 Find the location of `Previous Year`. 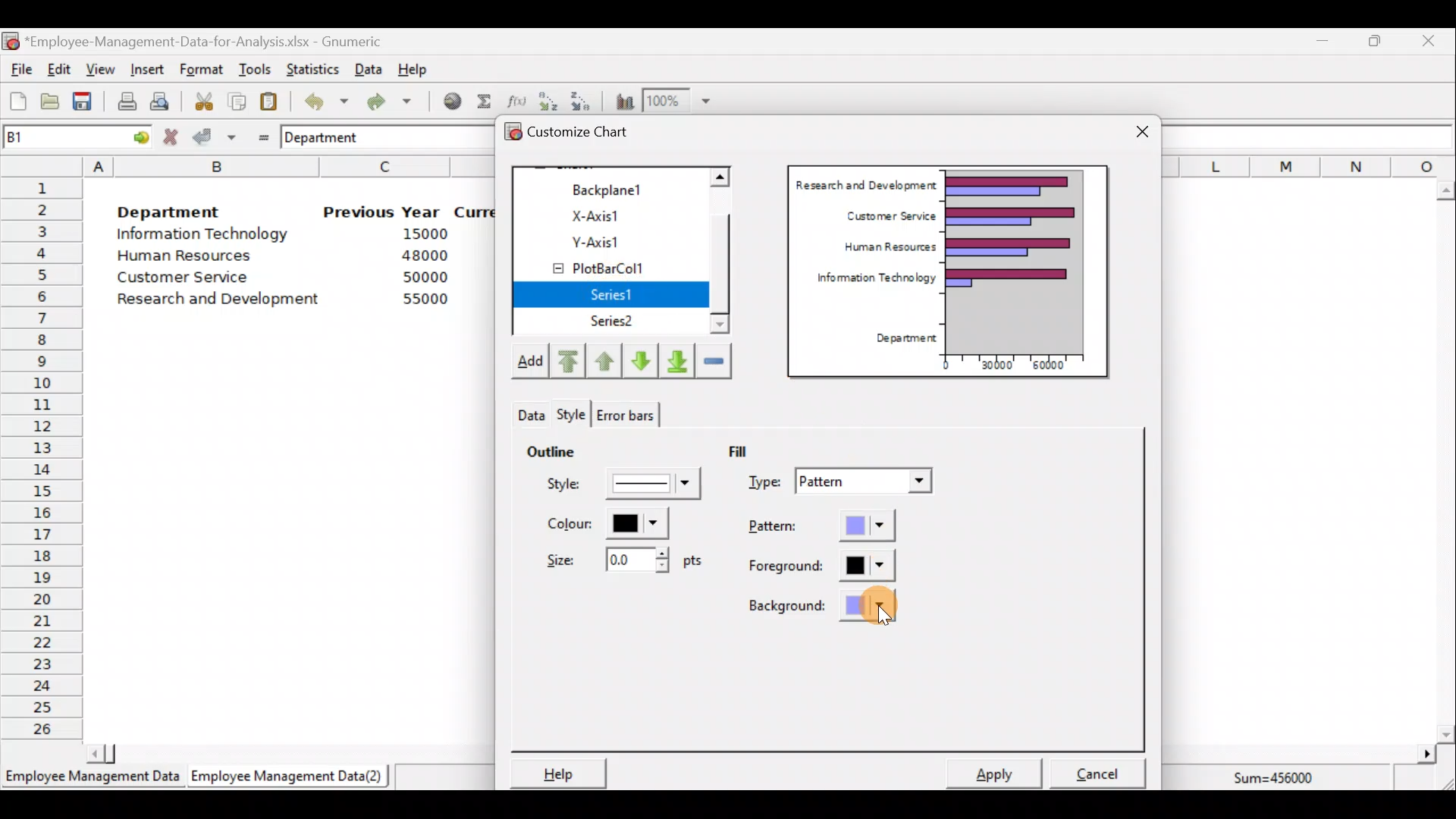

Previous Year is located at coordinates (382, 212).